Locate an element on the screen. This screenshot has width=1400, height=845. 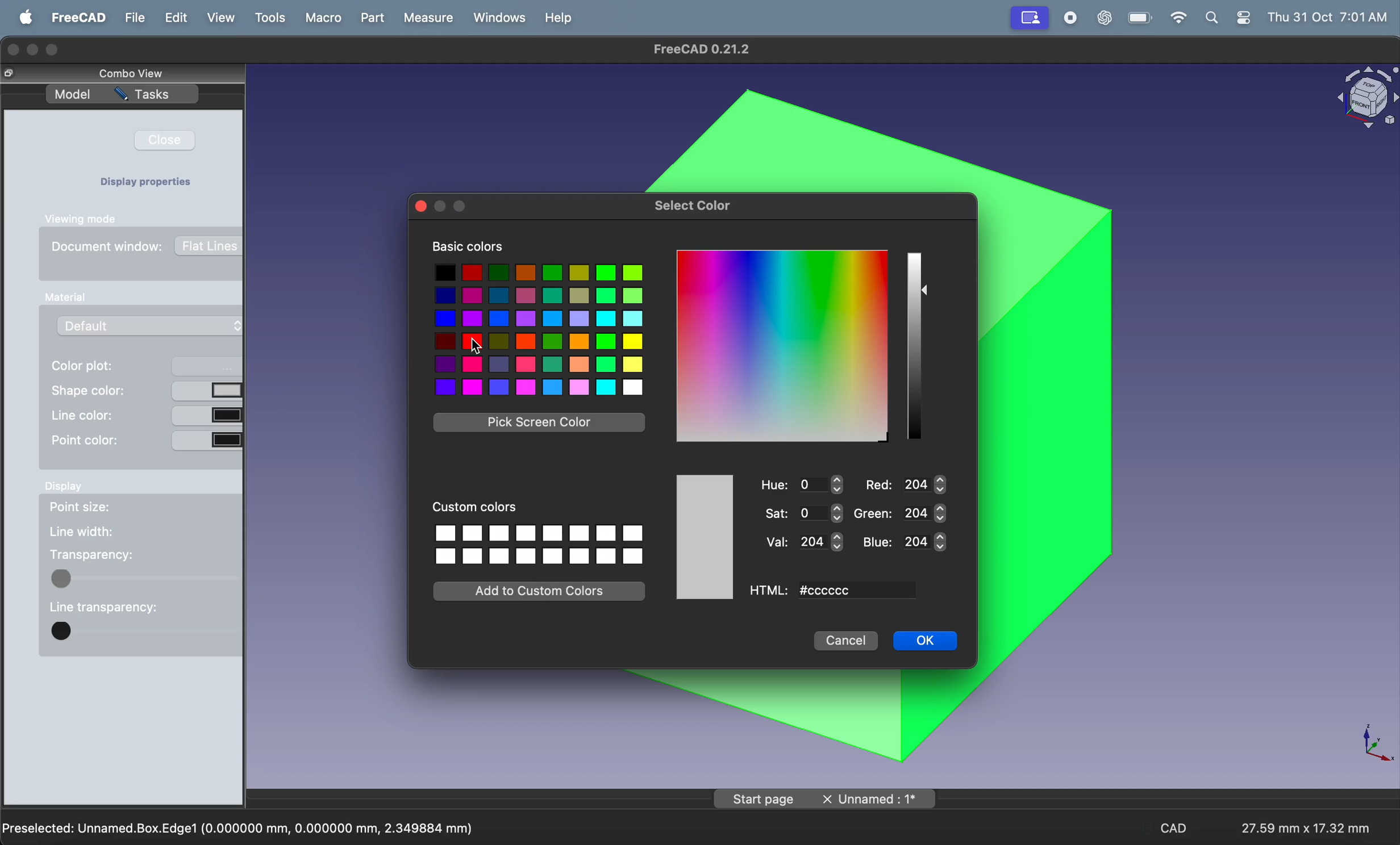
document window is located at coordinates (148, 250).